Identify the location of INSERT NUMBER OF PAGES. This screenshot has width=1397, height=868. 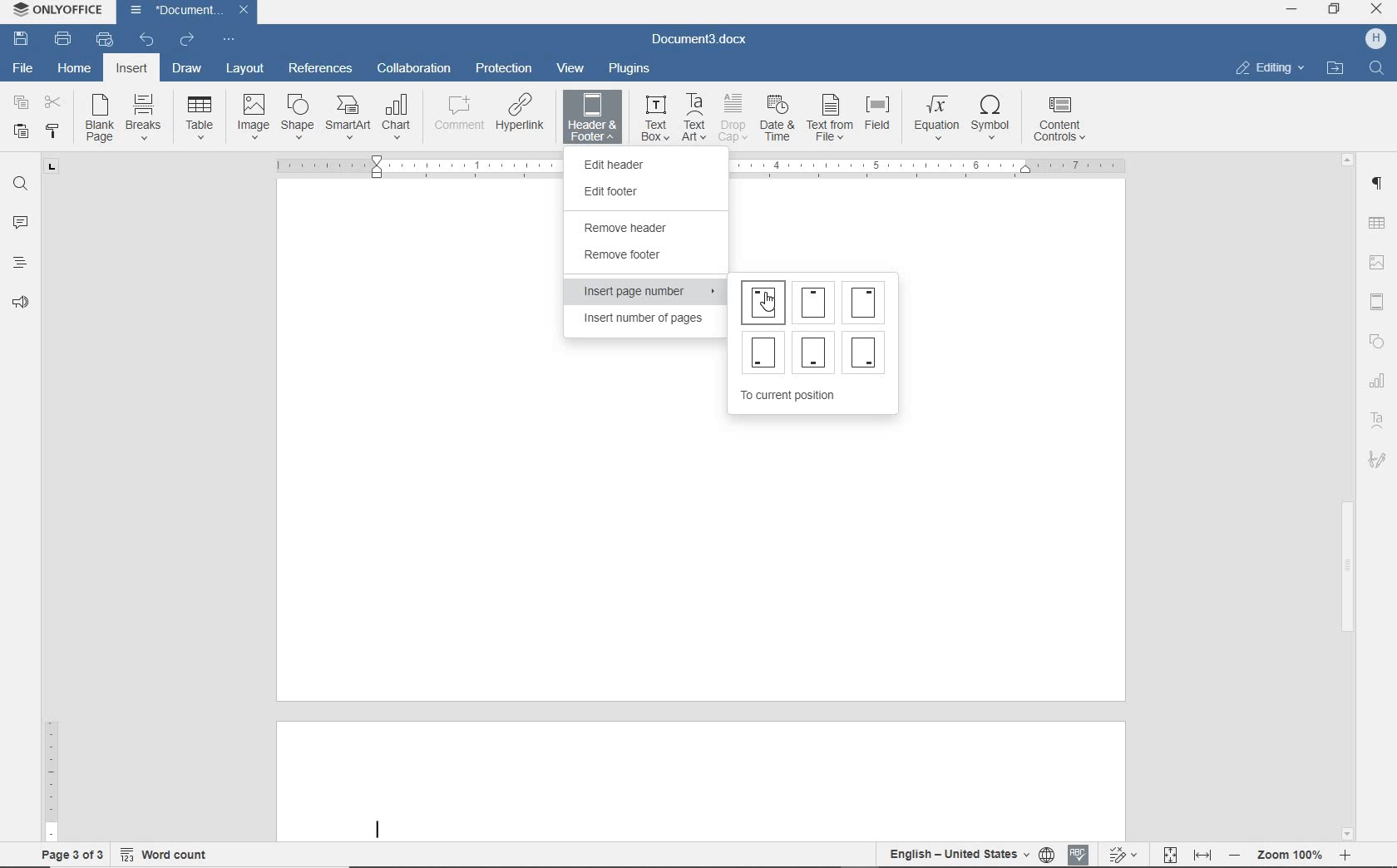
(640, 321).